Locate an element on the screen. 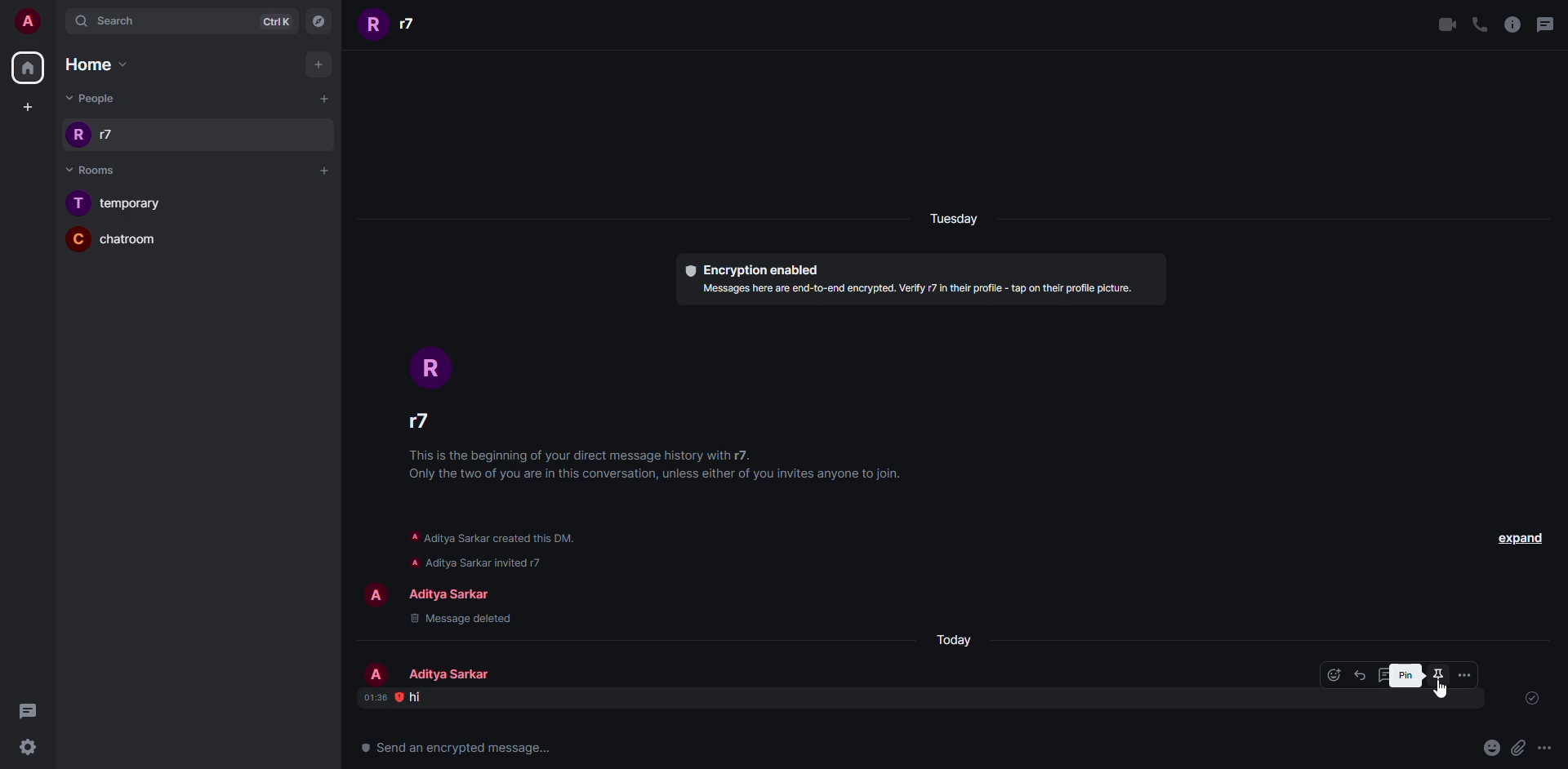 This screenshot has width=1568, height=769. people is located at coordinates (453, 673).